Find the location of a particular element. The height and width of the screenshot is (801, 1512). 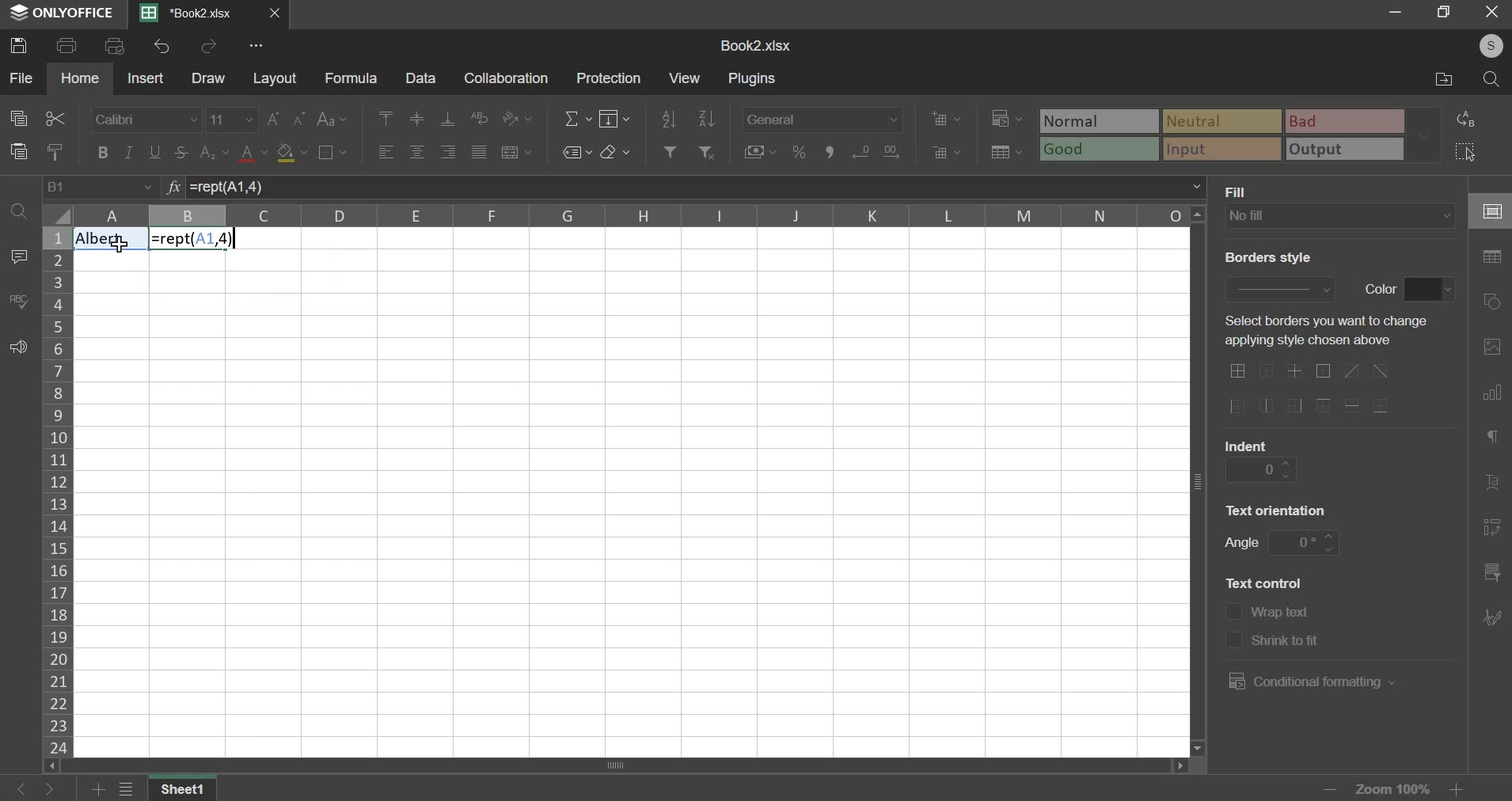

sort ascending is located at coordinates (669, 119).